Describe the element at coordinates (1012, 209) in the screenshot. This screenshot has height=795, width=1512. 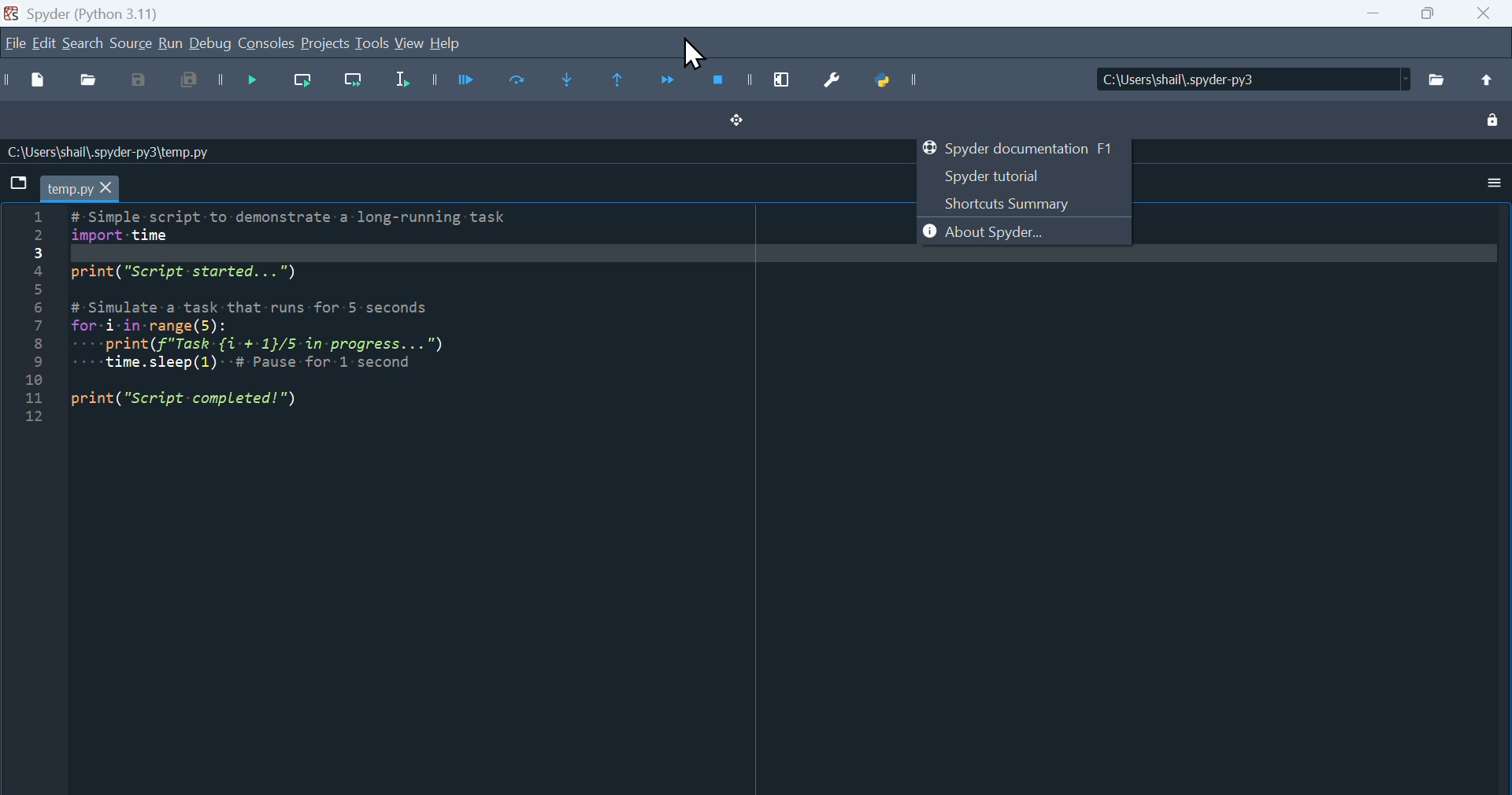
I see `Shortcuts summary` at that location.